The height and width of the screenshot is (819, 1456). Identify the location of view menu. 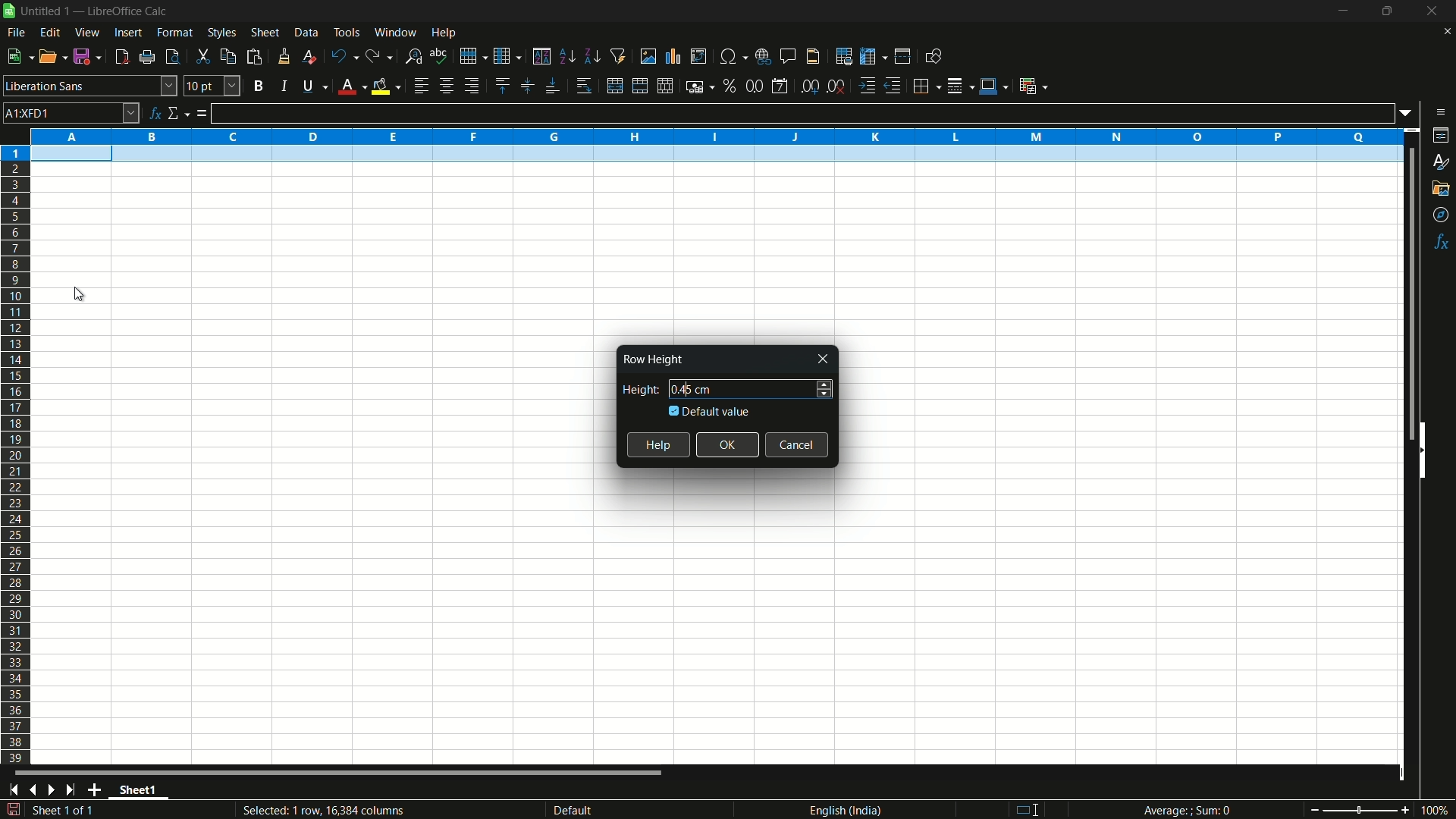
(88, 33).